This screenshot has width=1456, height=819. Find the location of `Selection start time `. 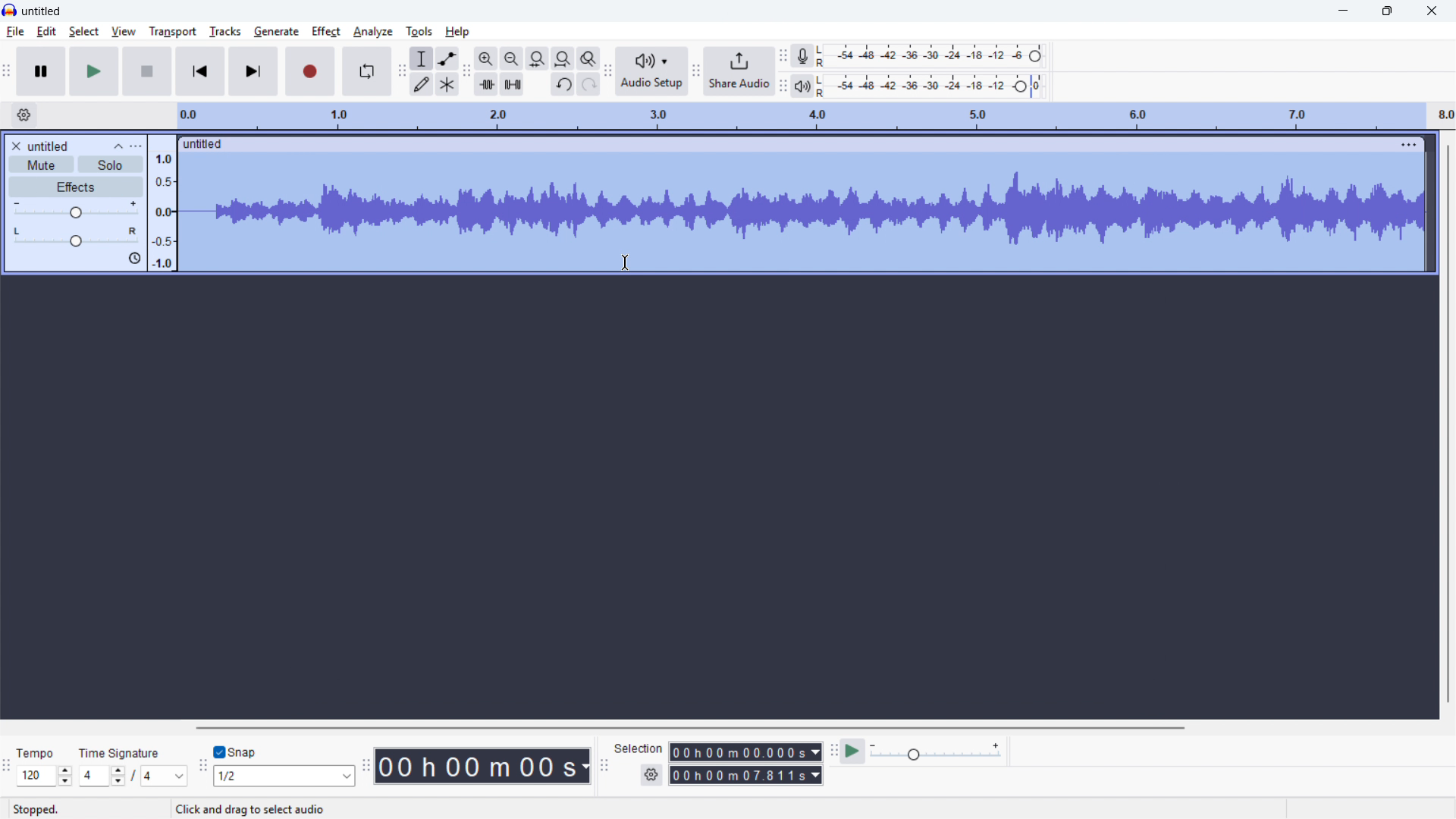

Selection start time  is located at coordinates (745, 752).